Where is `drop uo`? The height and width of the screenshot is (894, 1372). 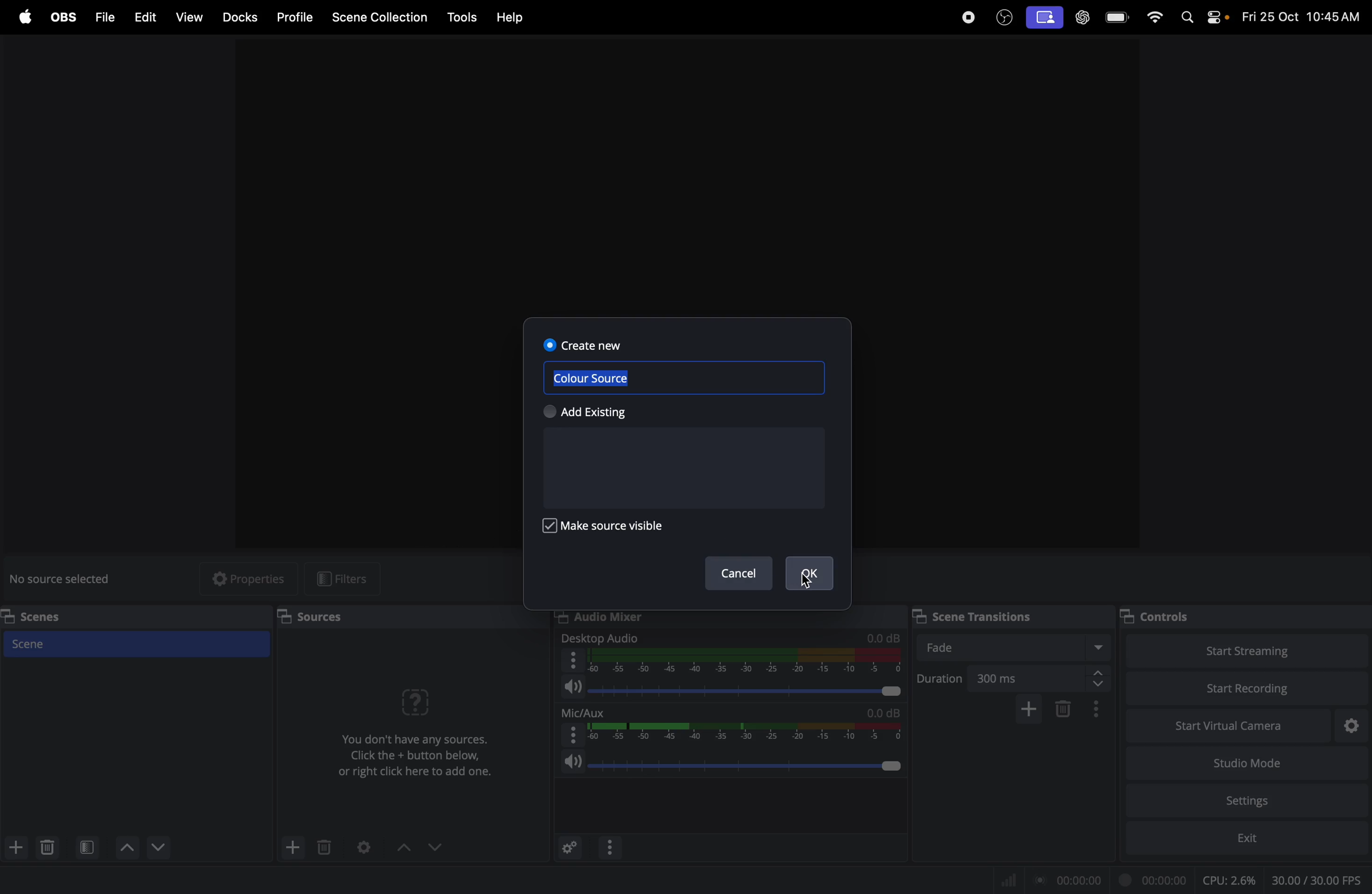 drop uo is located at coordinates (405, 849).